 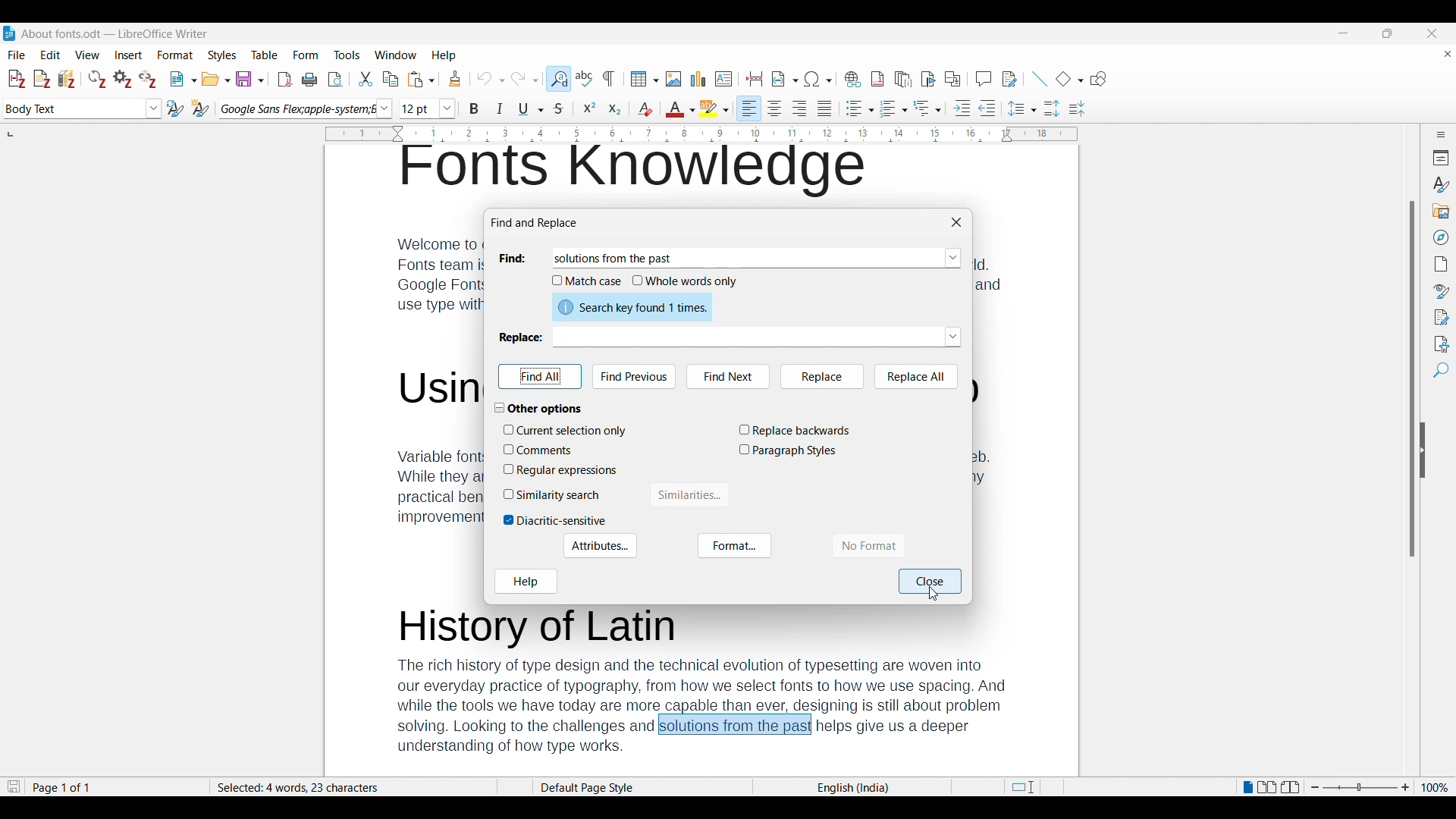 What do you see at coordinates (824, 377) in the screenshot?
I see `Replace` at bounding box center [824, 377].